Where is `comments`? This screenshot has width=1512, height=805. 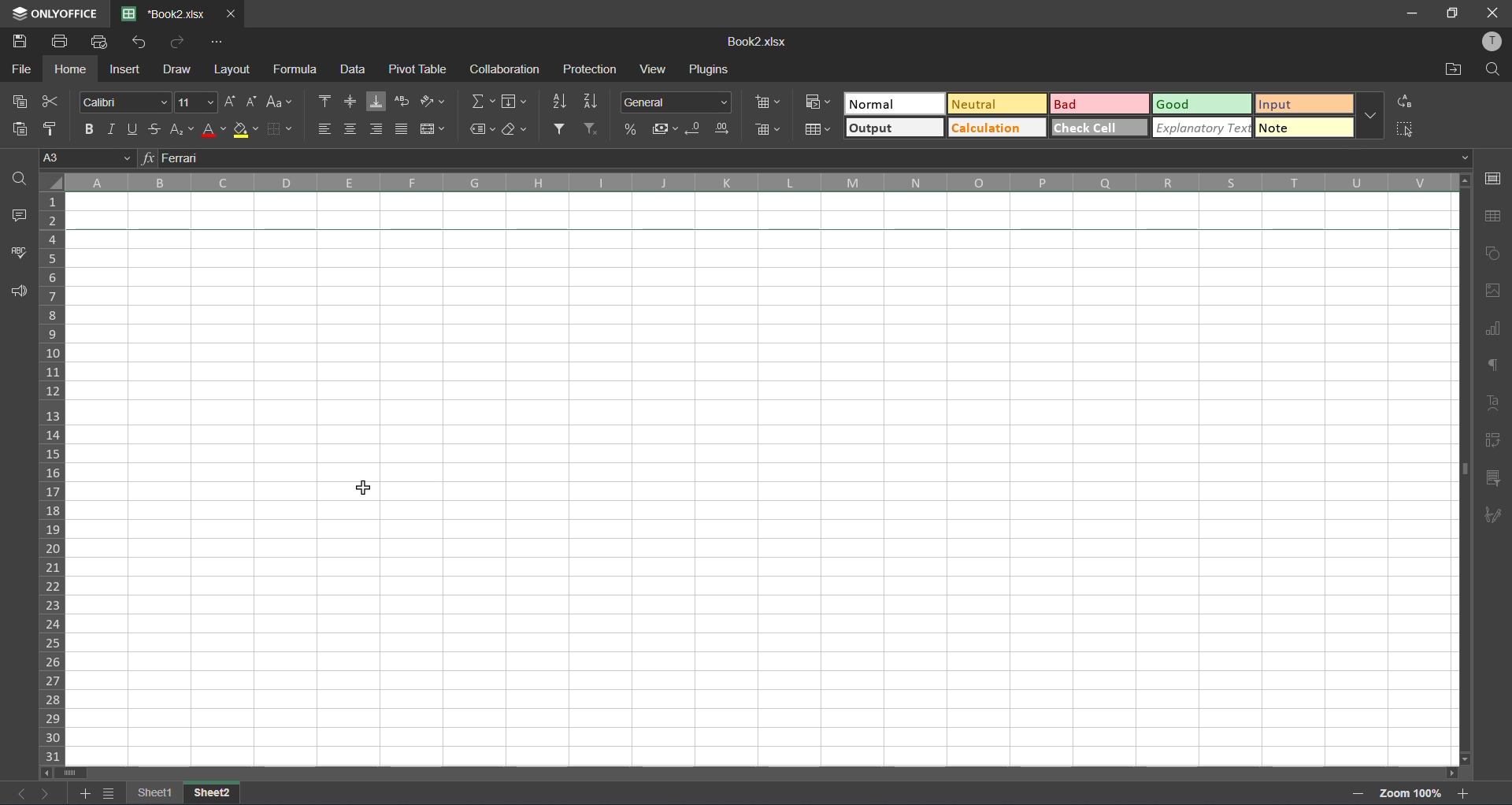
comments is located at coordinates (18, 216).